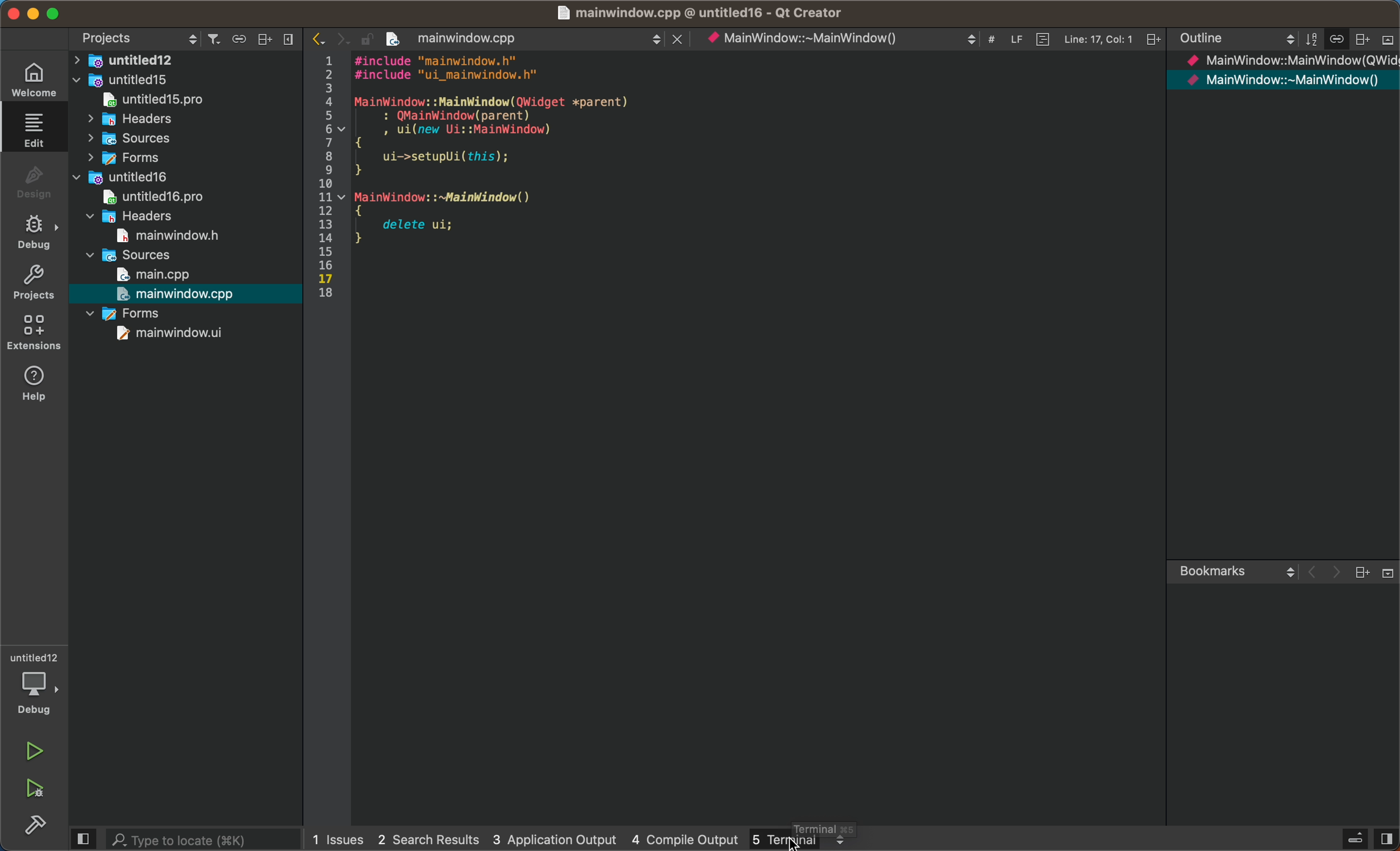 The width and height of the screenshot is (1400, 851). Describe the element at coordinates (798, 838) in the screenshot. I see `terminal` at that location.